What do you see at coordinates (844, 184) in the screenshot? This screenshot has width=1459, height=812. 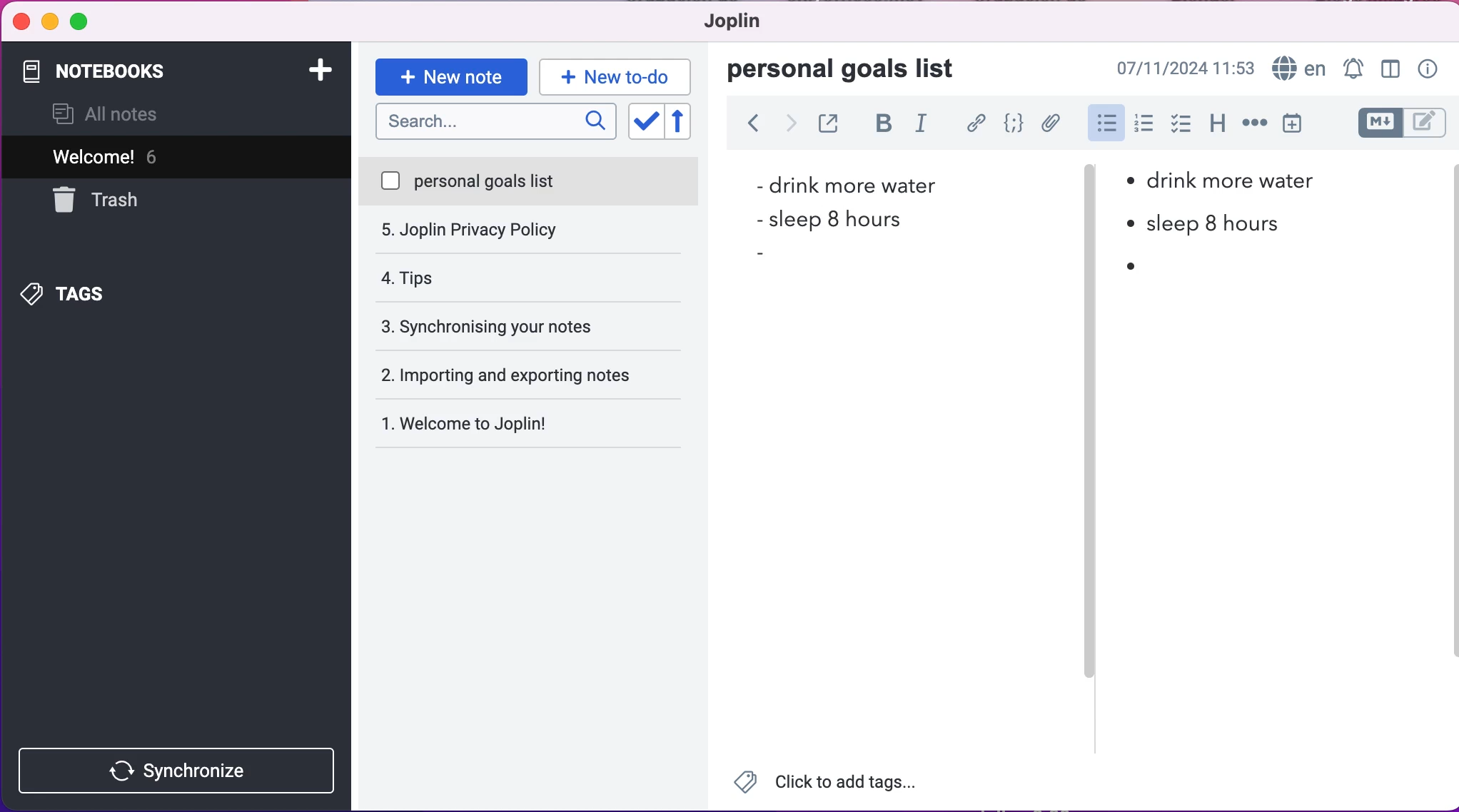 I see `drink more water` at bounding box center [844, 184].